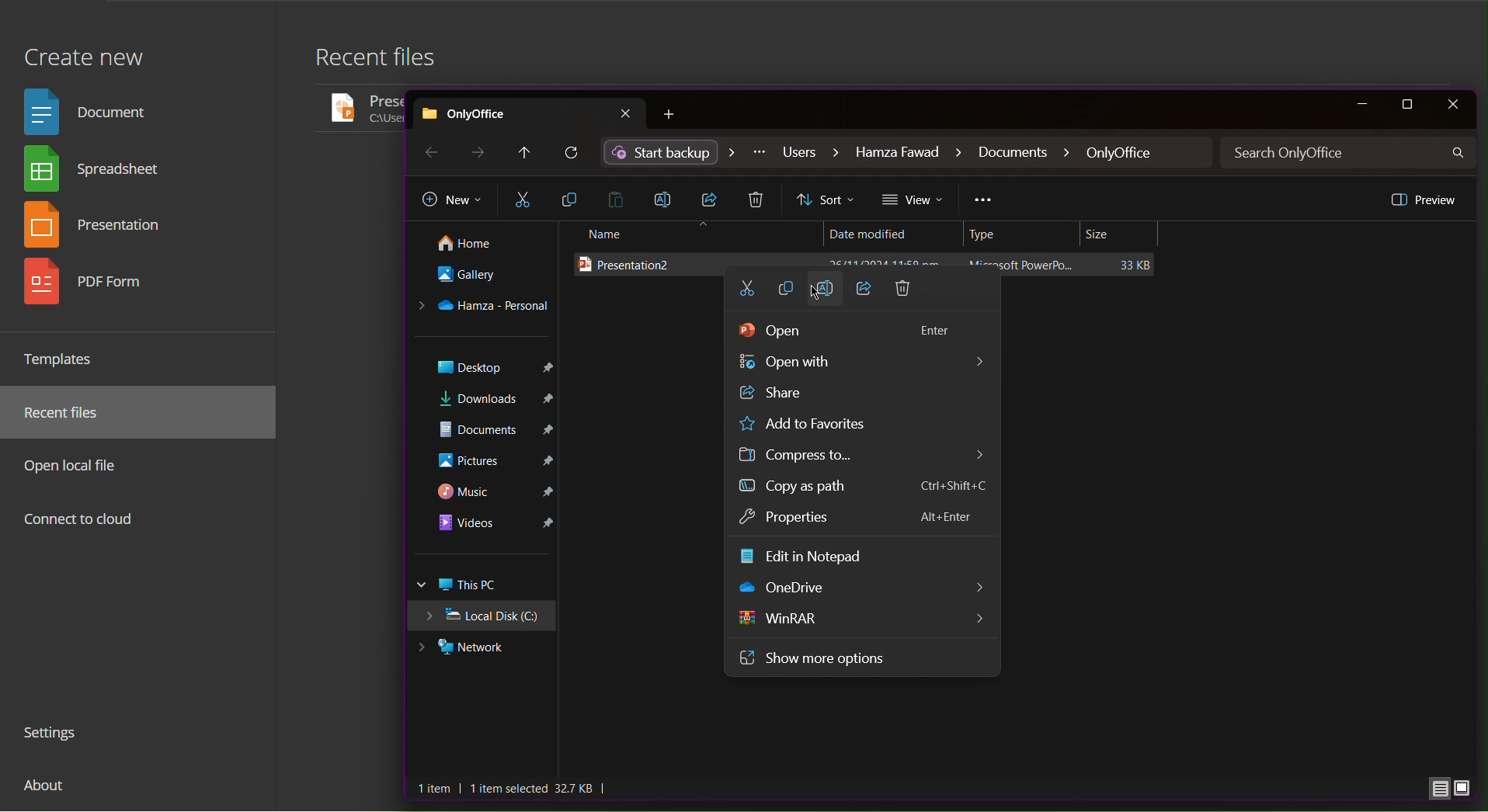  What do you see at coordinates (1121, 234) in the screenshot?
I see `Size` at bounding box center [1121, 234].